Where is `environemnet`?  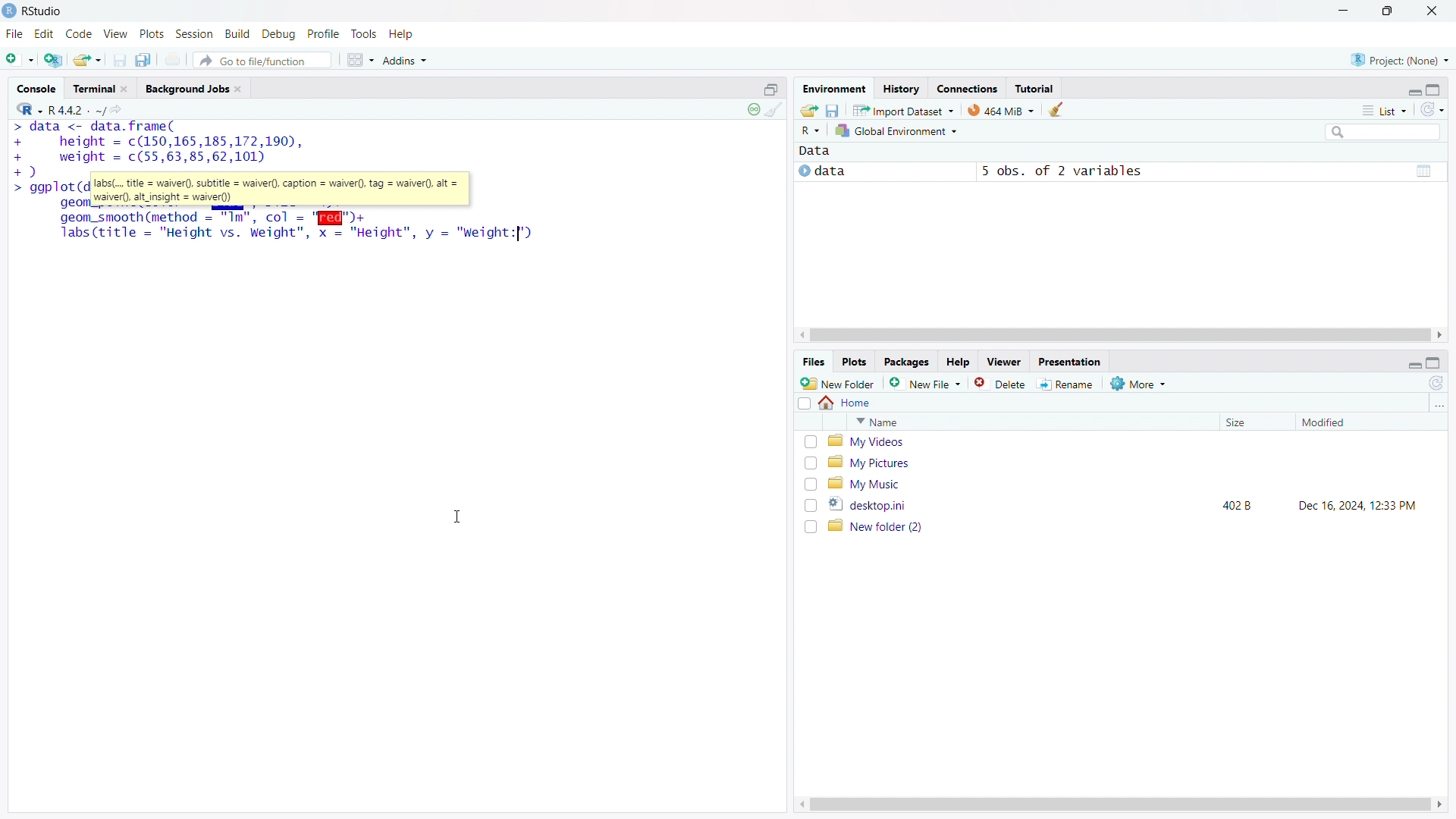 environemnet is located at coordinates (833, 86).